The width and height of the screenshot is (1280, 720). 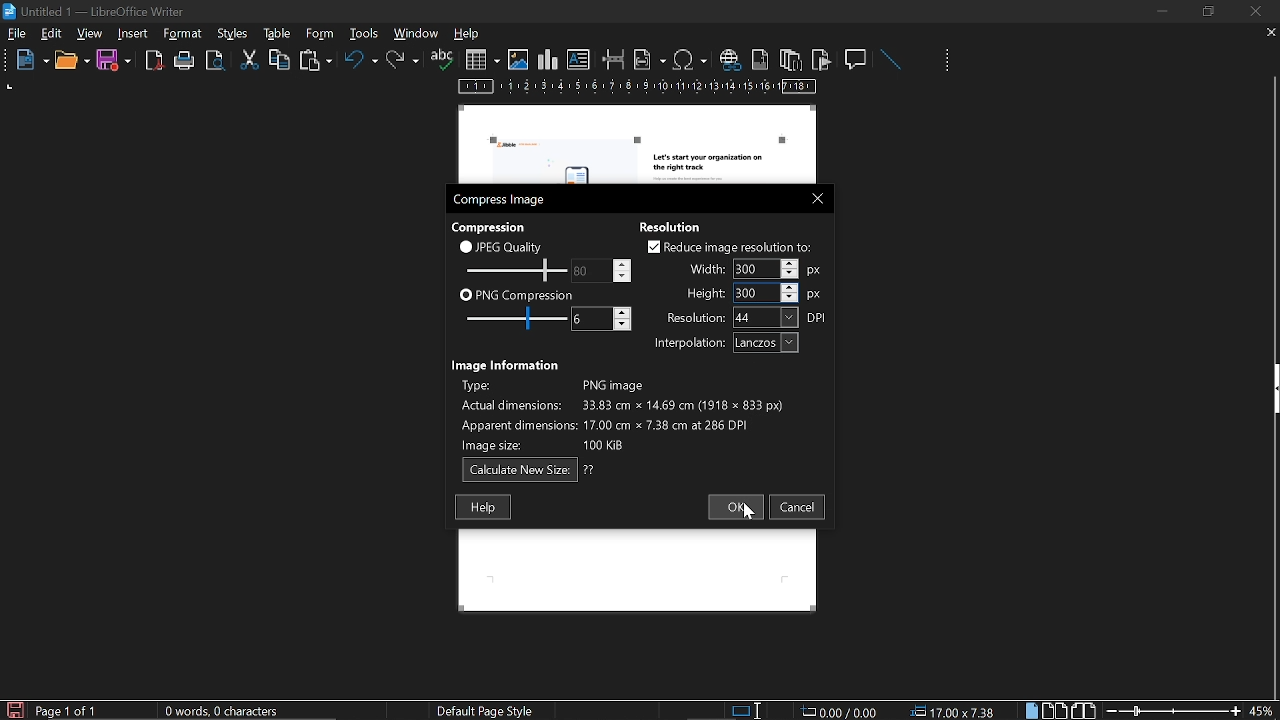 What do you see at coordinates (17, 35) in the screenshot?
I see `file` at bounding box center [17, 35].